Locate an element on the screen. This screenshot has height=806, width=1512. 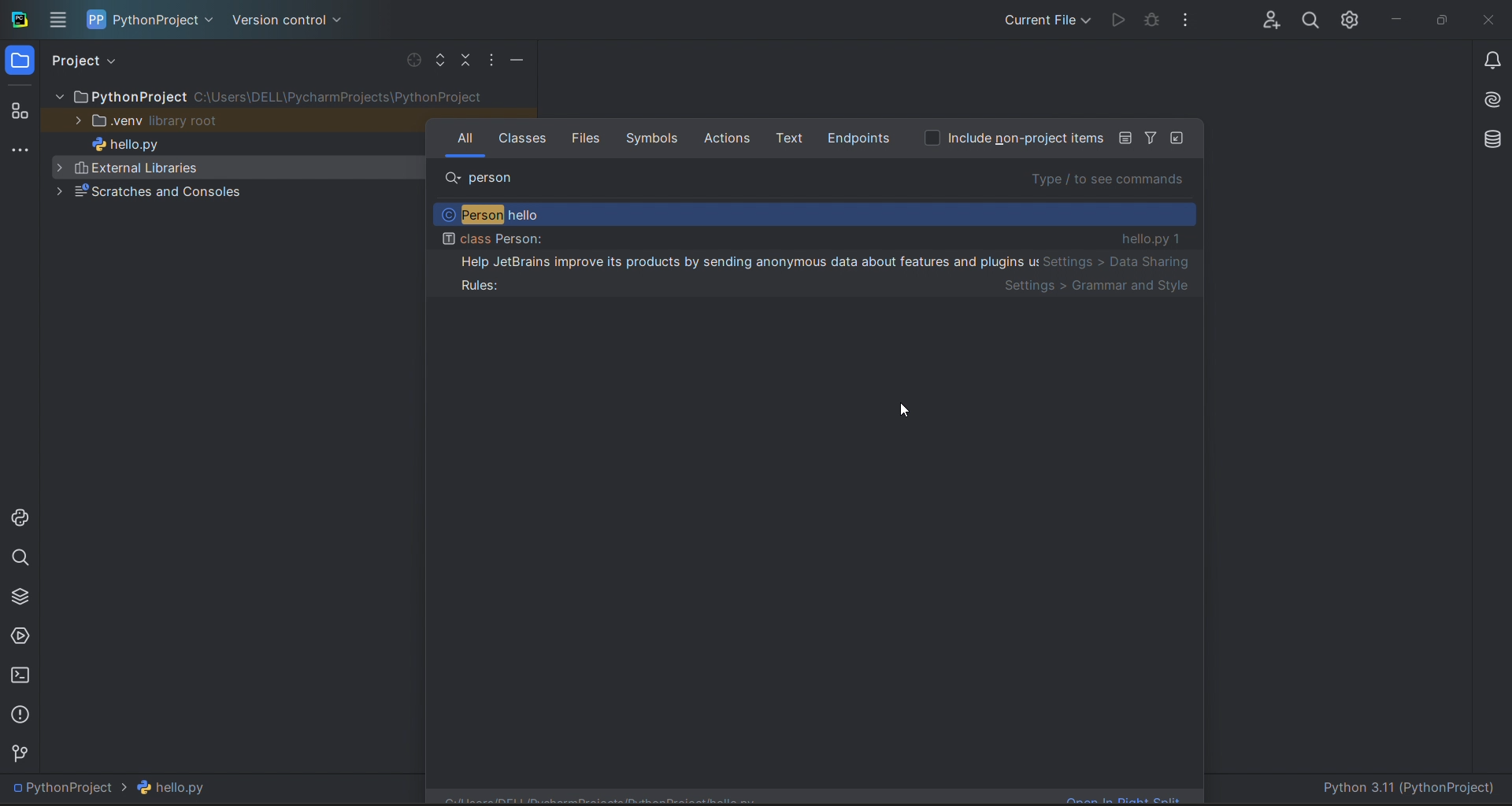
ai assistant is located at coordinates (1493, 100).